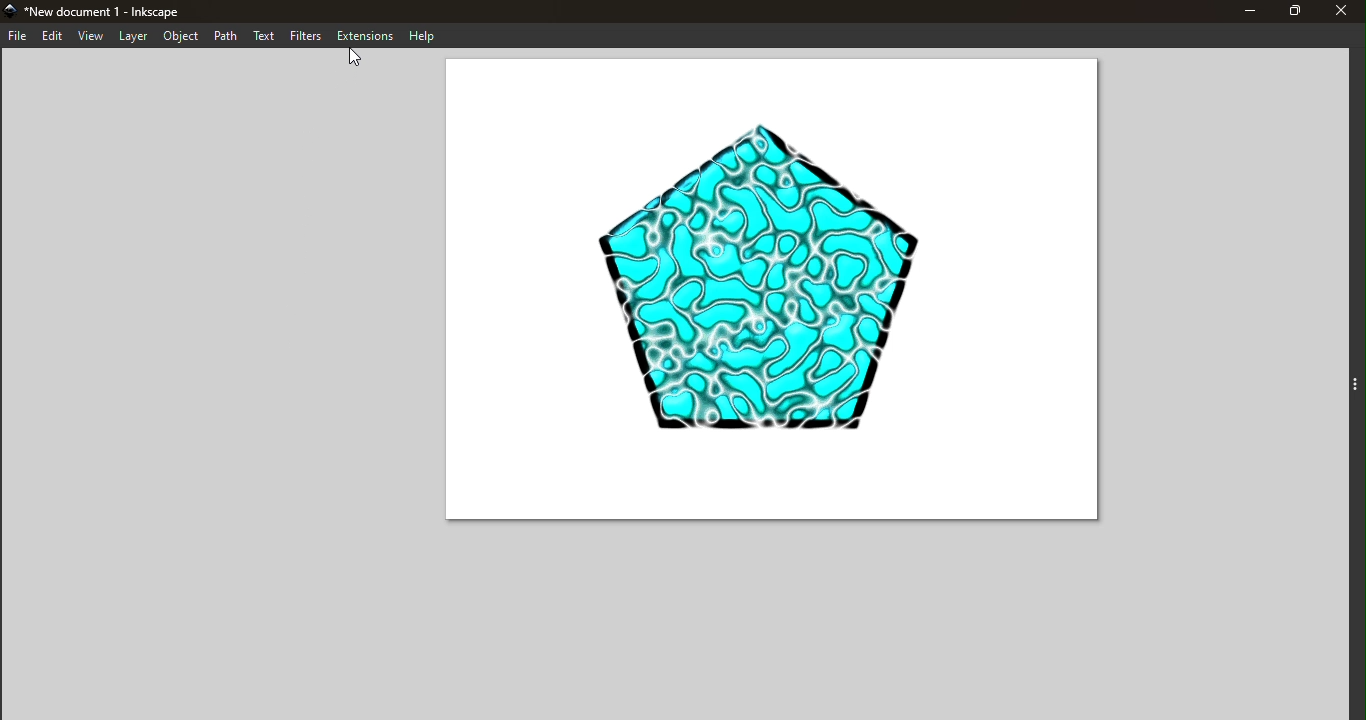 The image size is (1366, 720). Describe the element at coordinates (1245, 12) in the screenshot. I see `Minimize` at that location.